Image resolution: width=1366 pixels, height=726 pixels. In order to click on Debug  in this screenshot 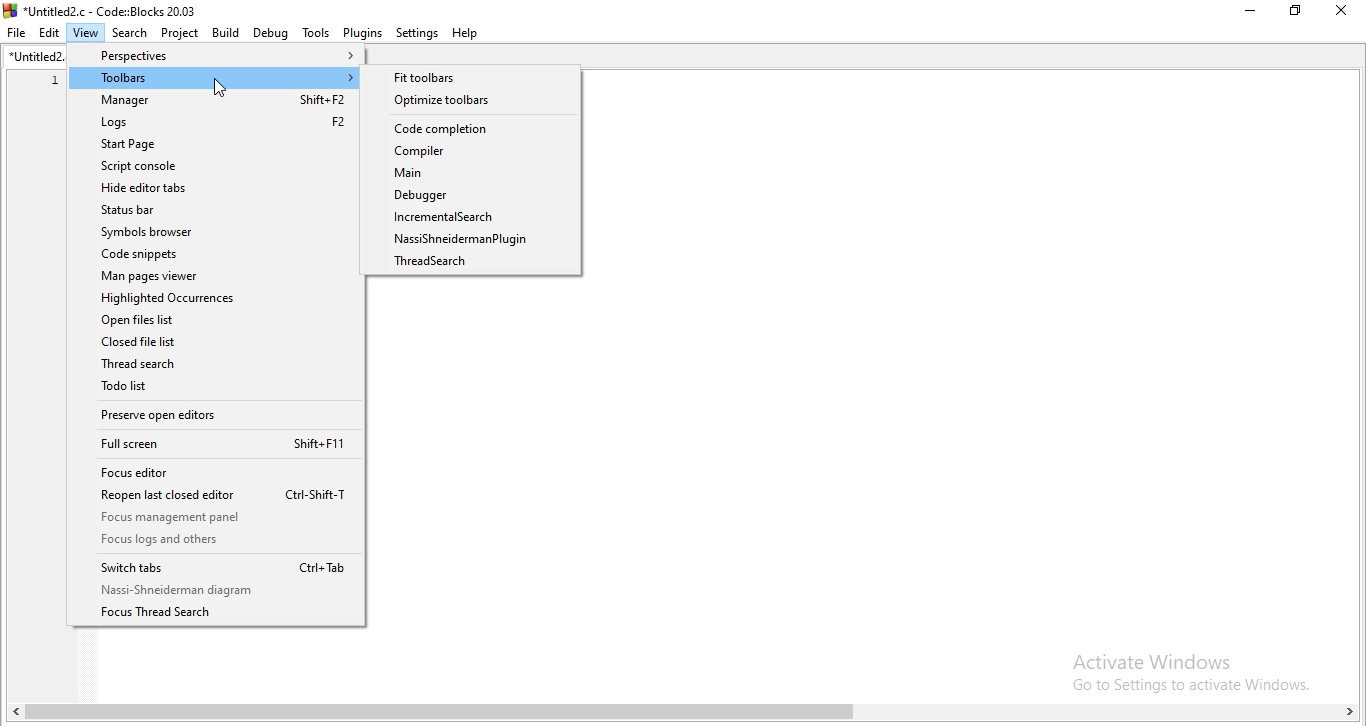, I will do `click(271, 33)`.